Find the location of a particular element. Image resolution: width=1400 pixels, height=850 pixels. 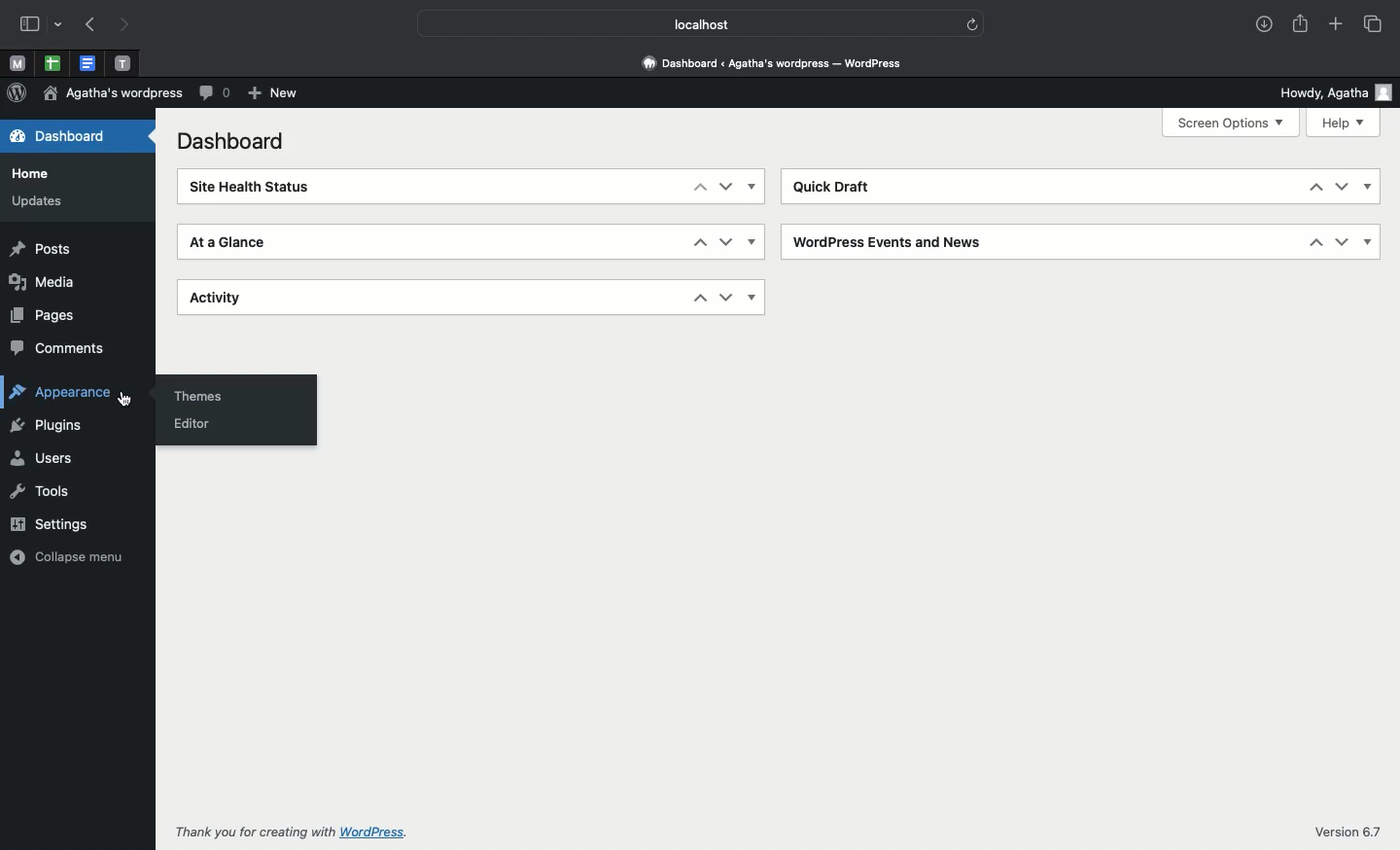

Comments is located at coordinates (215, 92).